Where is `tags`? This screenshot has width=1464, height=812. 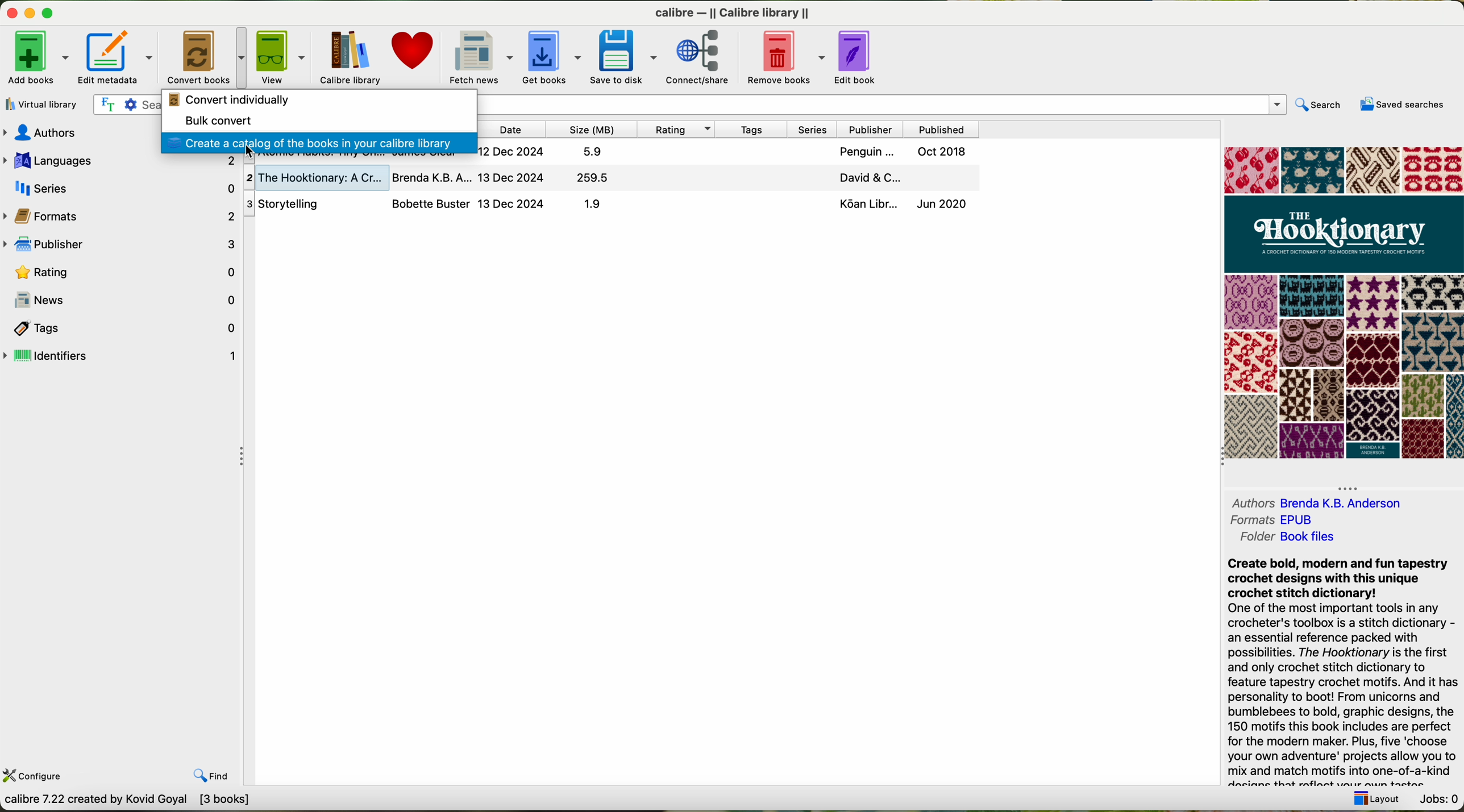 tags is located at coordinates (123, 328).